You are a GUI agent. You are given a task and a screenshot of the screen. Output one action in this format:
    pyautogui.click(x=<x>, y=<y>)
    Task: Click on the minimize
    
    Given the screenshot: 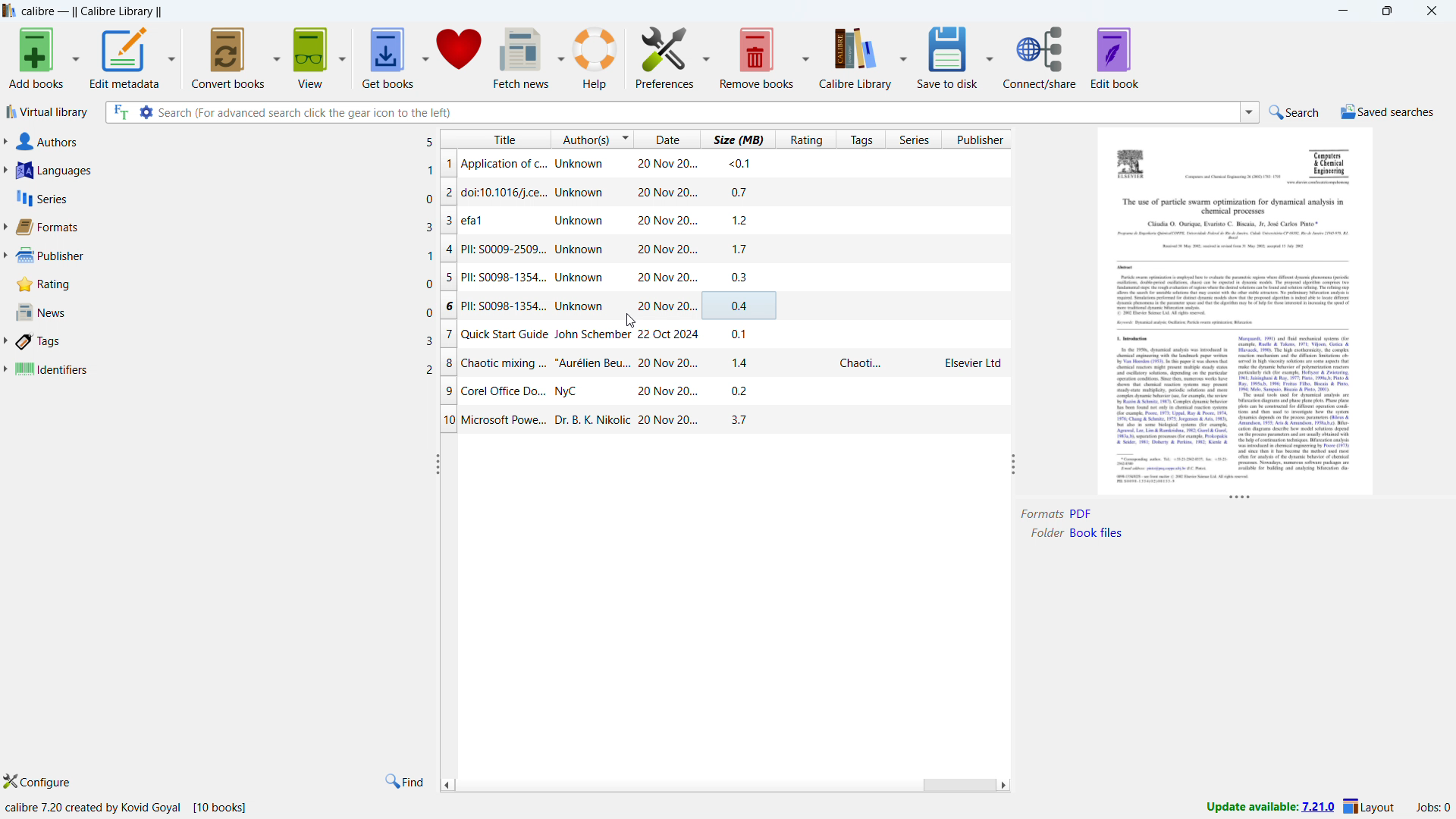 What is the action you would take?
    pyautogui.click(x=1345, y=9)
    